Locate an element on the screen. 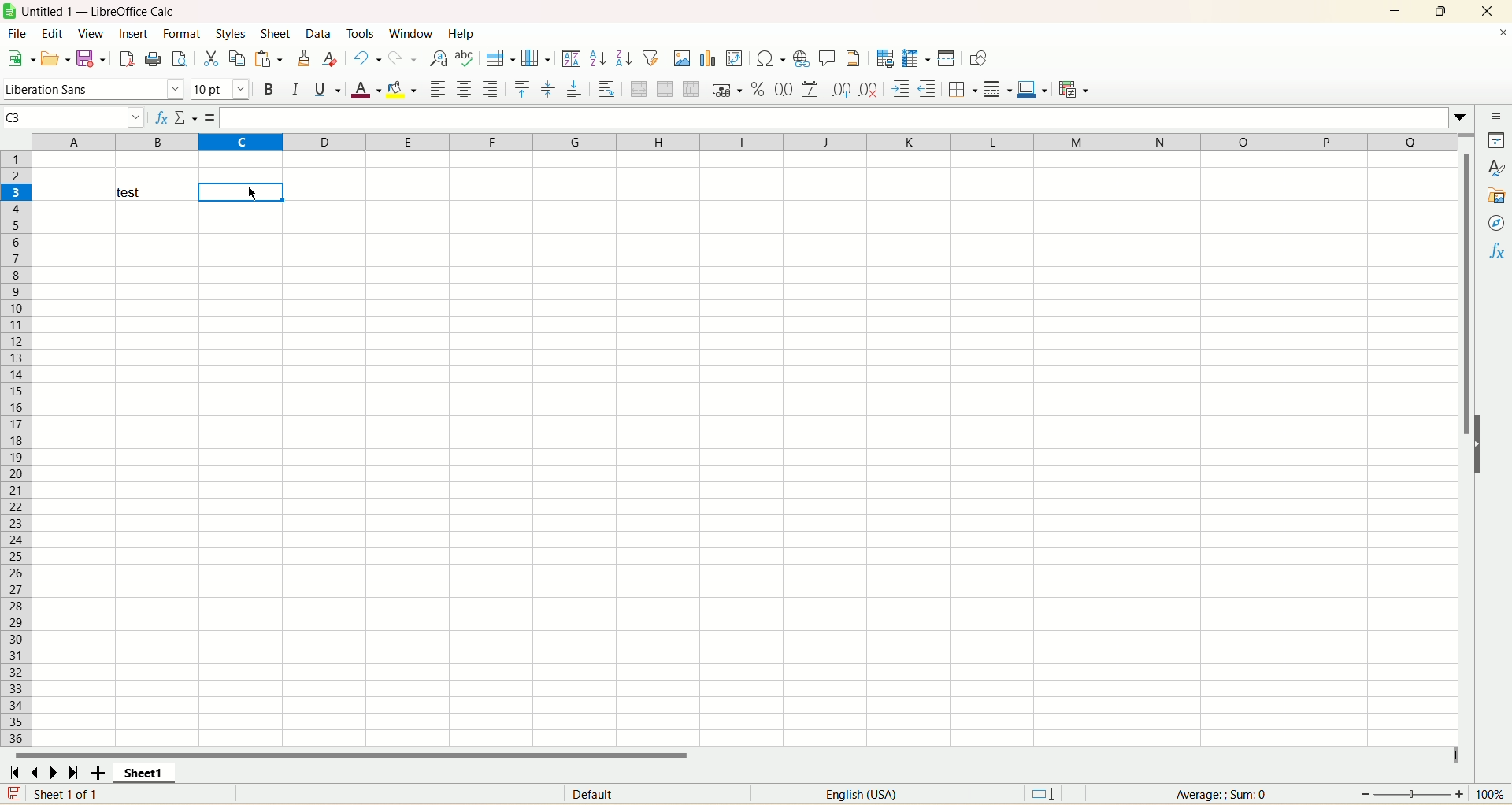 The image size is (1512, 805). center vertically is located at coordinates (548, 89).